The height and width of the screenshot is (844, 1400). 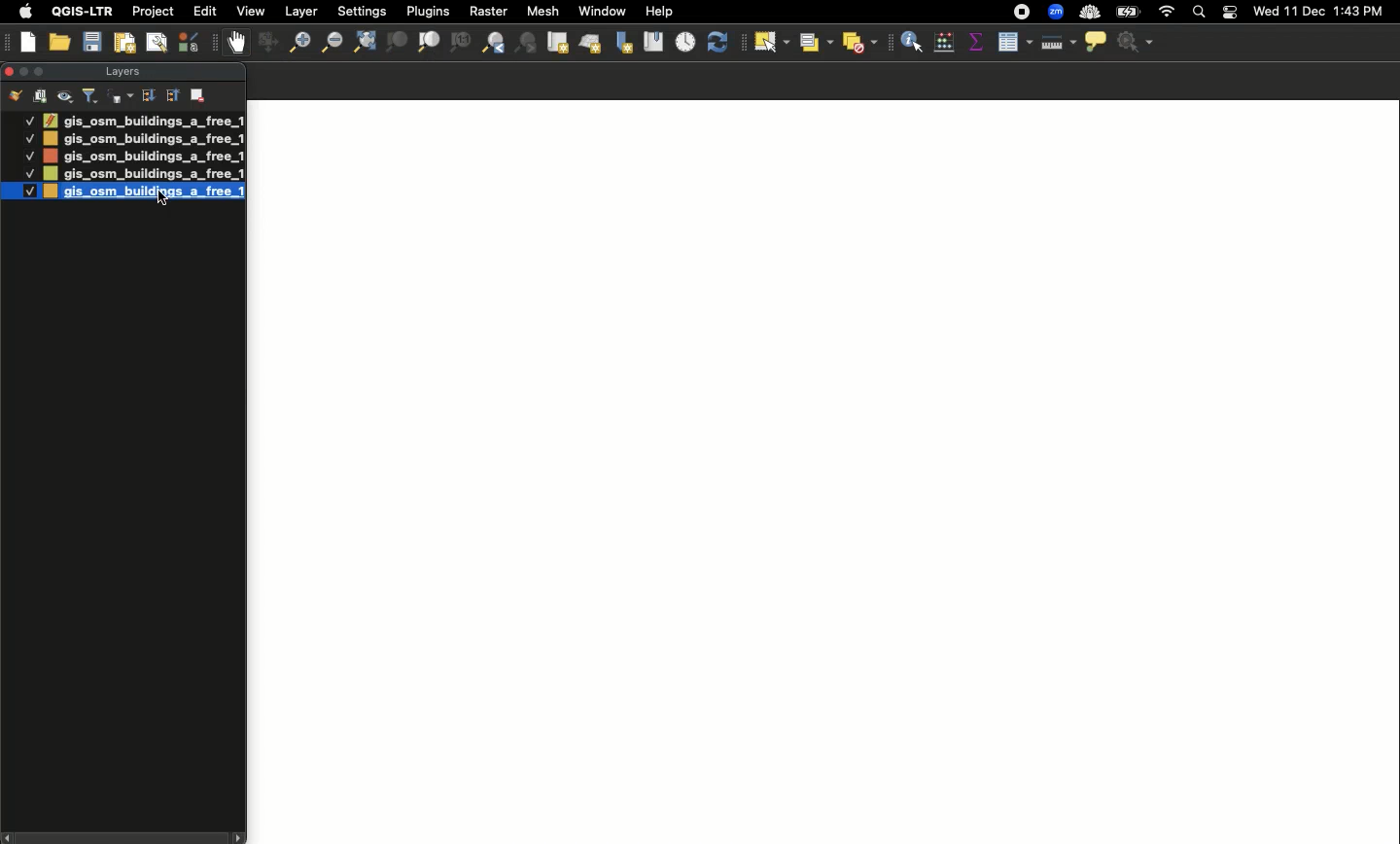 I want to click on wed, so click(x=1264, y=13).